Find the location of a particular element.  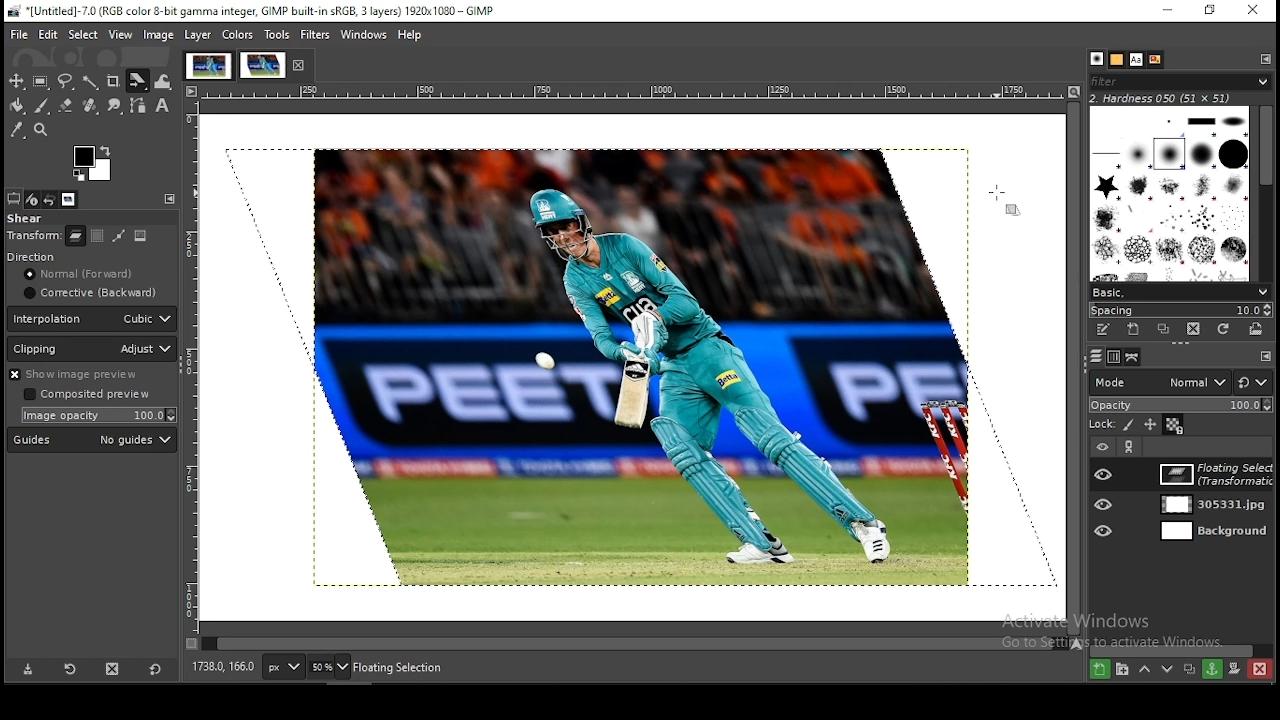

project tab 2 is located at coordinates (263, 65).